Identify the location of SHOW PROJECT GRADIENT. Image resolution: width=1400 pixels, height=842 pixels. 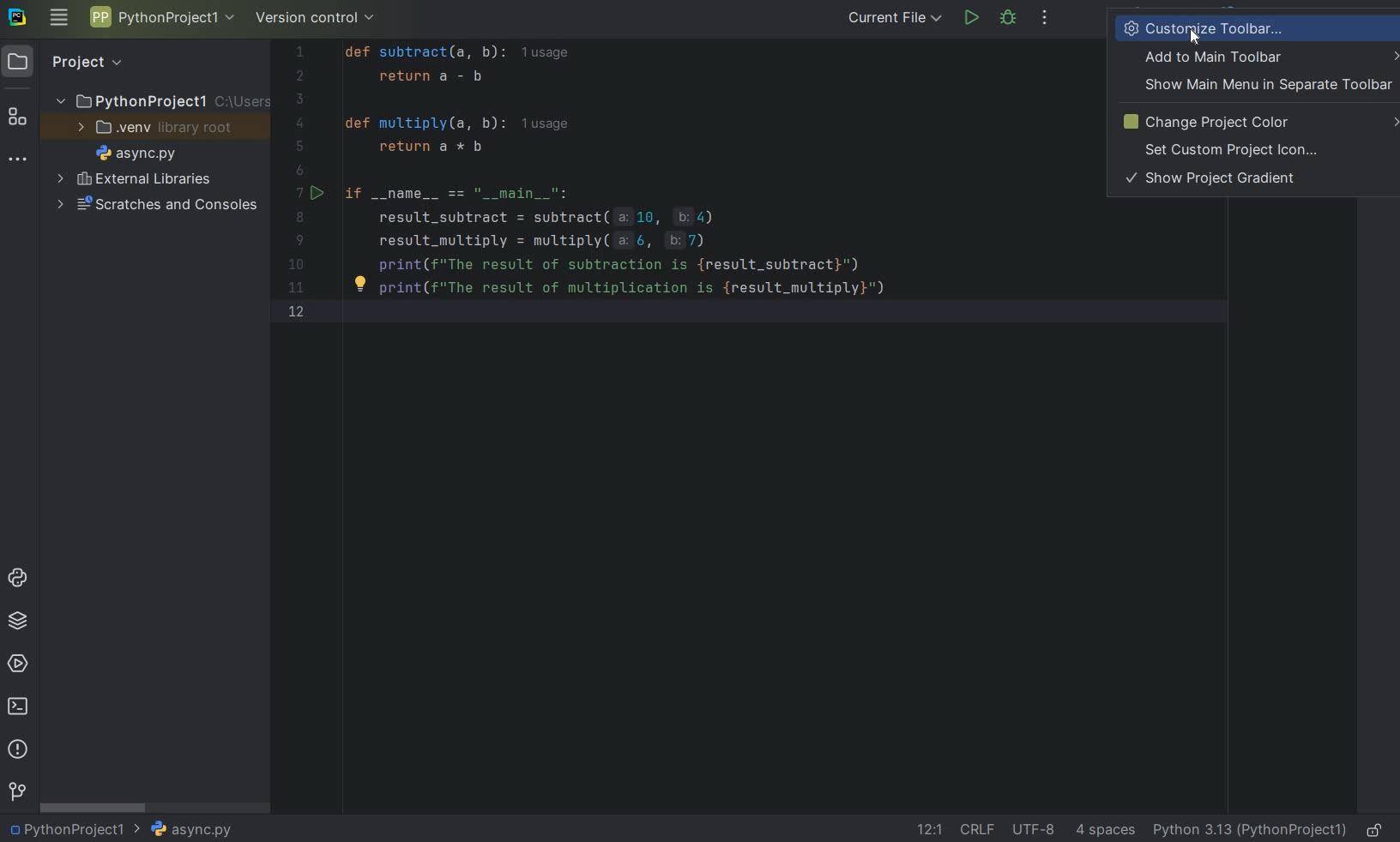
(1219, 179).